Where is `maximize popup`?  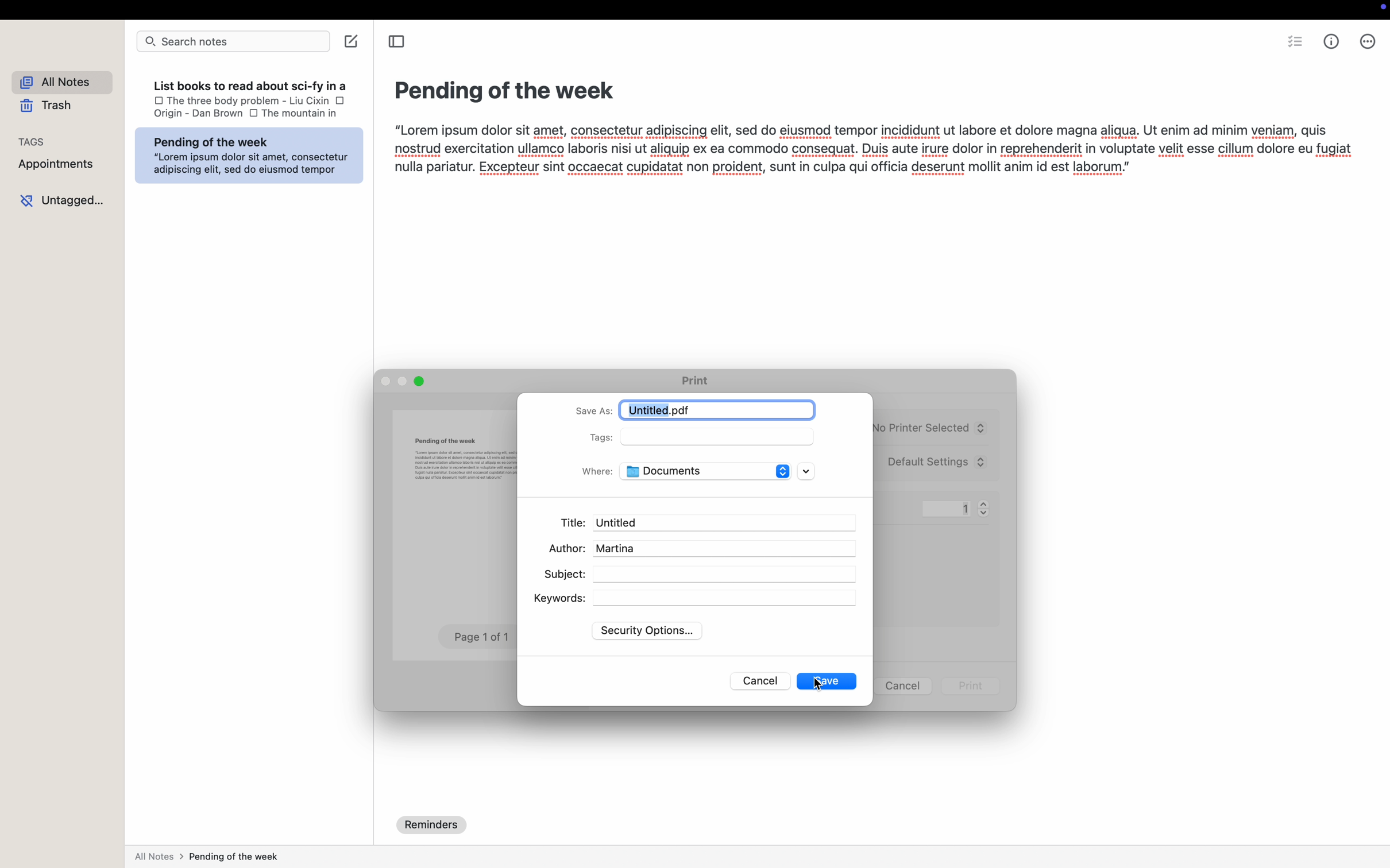
maximize popup is located at coordinates (422, 382).